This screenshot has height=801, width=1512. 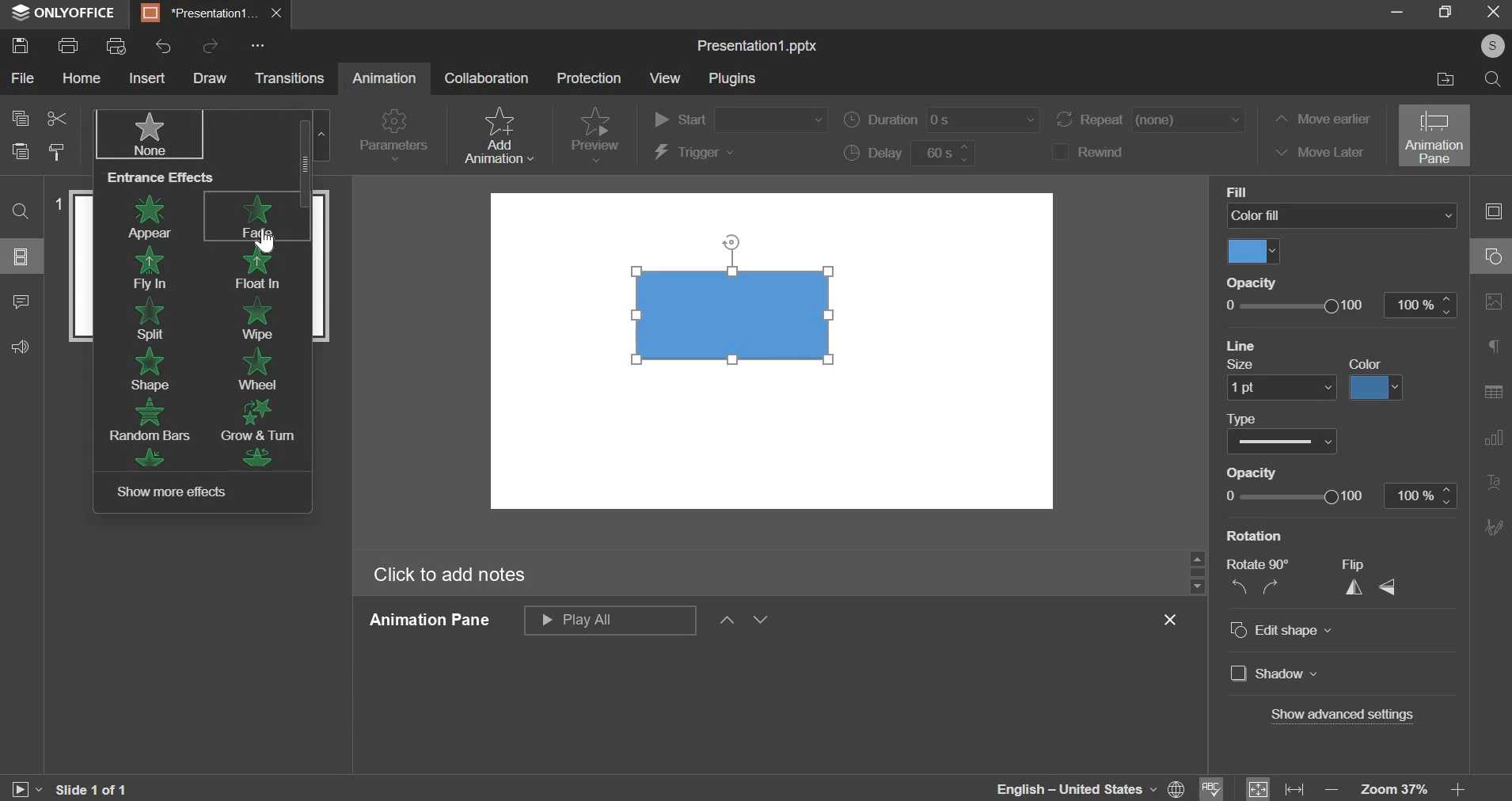 What do you see at coordinates (71, 46) in the screenshot?
I see `print` at bounding box center [71, 46].